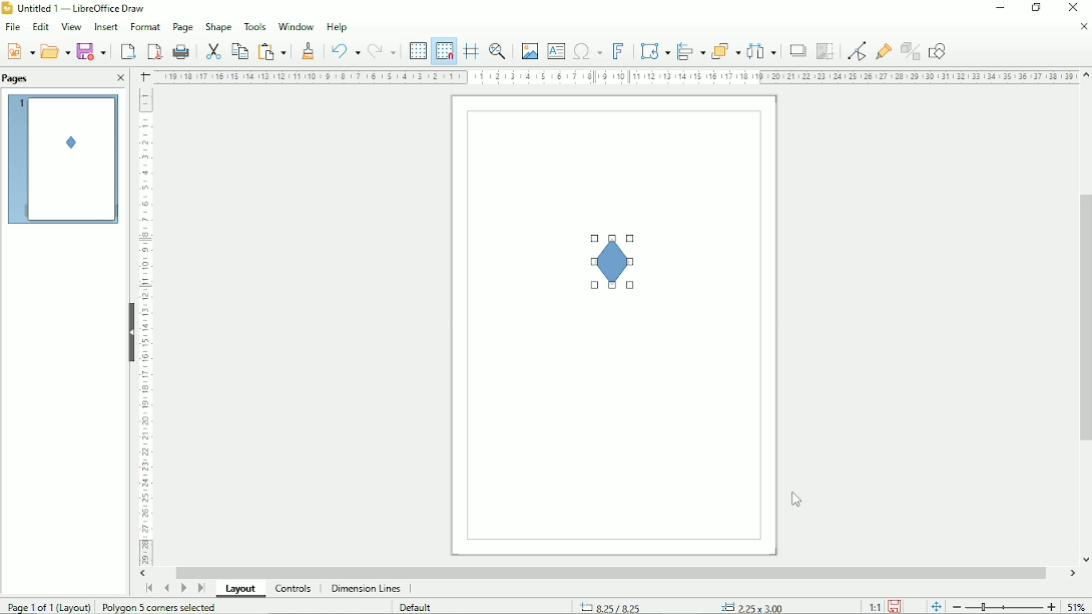 The image size is (1092, 614). What do you see at coordinates (612, 78) in the screenshot?
I see `Horizontal scale` at bounding box center [612, 78].